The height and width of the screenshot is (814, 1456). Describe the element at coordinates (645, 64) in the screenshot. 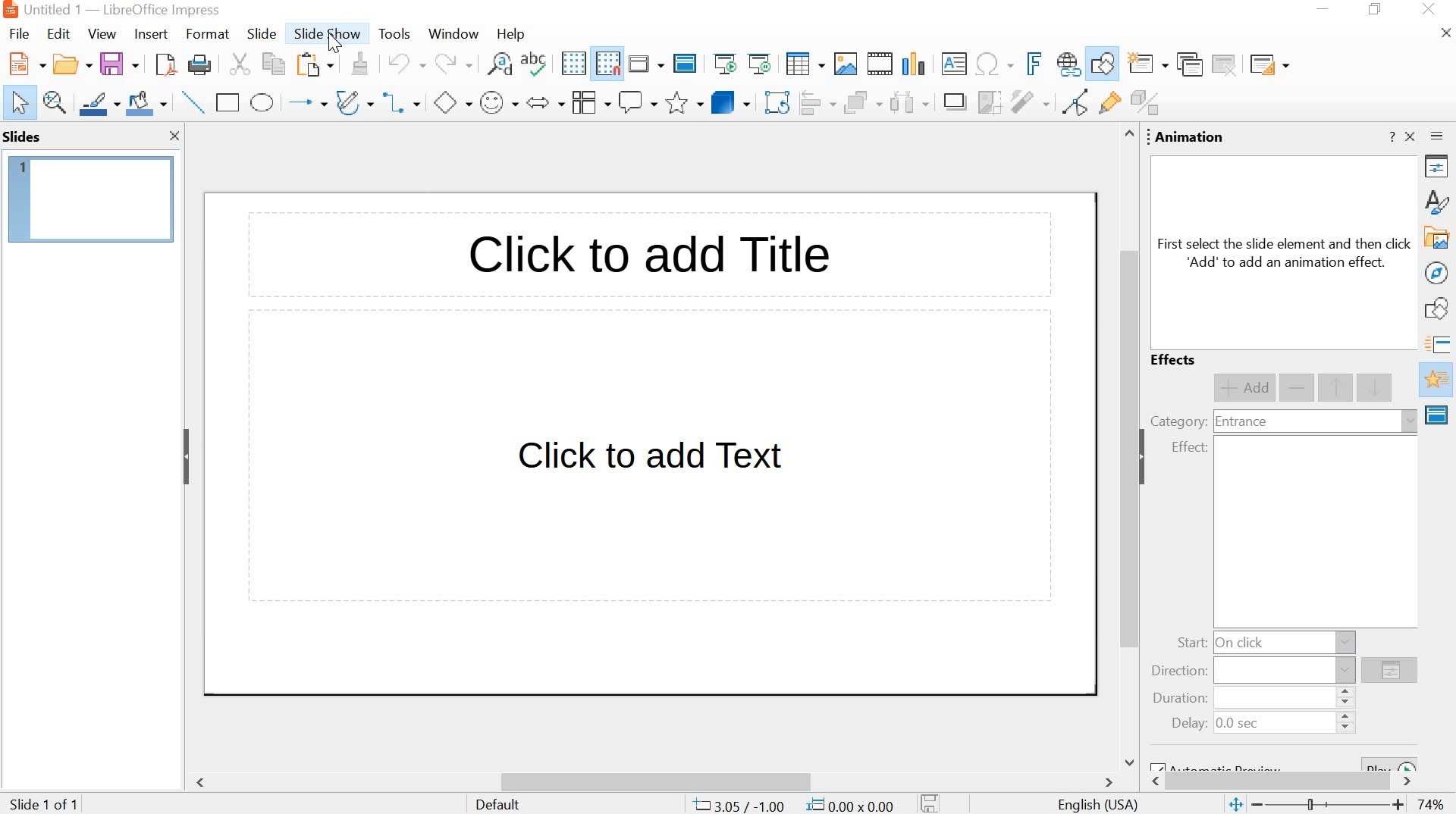

I see `display views` at that location.